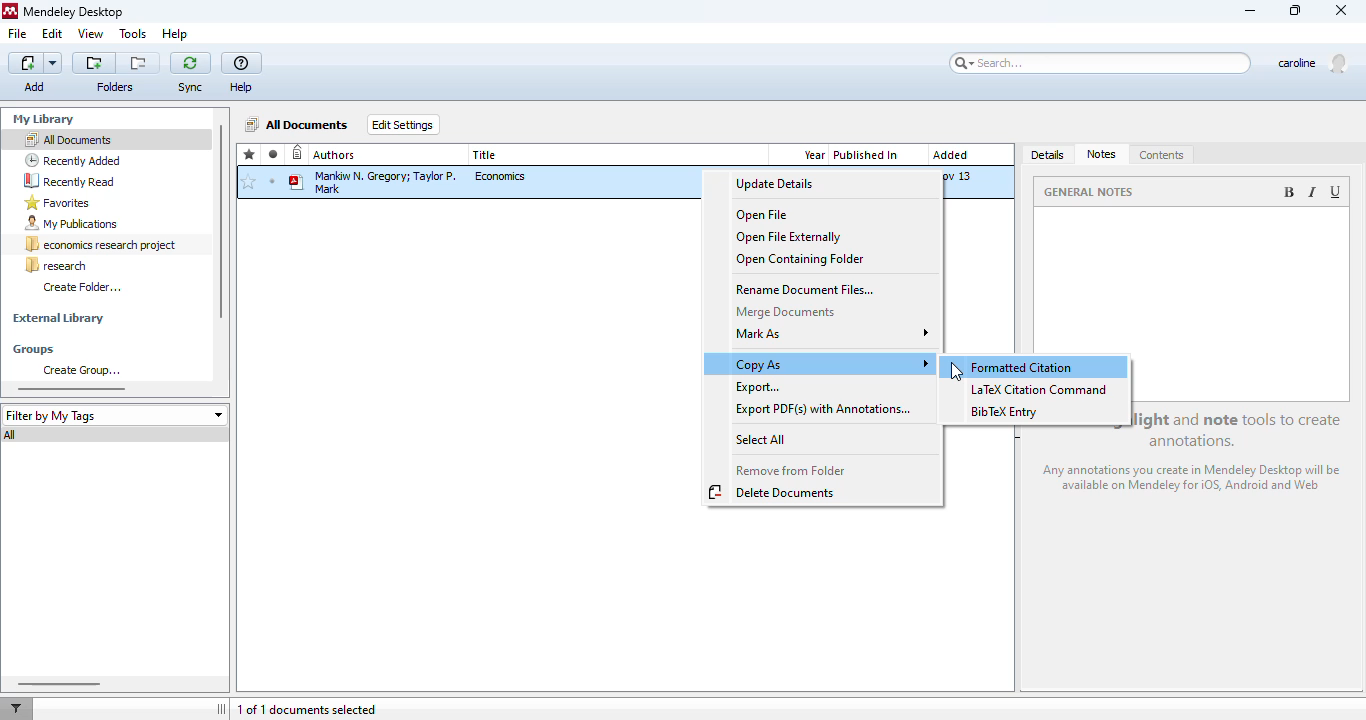 This screenshot has width=1366, height=720. I want to click on bold, so click(1288, 192).